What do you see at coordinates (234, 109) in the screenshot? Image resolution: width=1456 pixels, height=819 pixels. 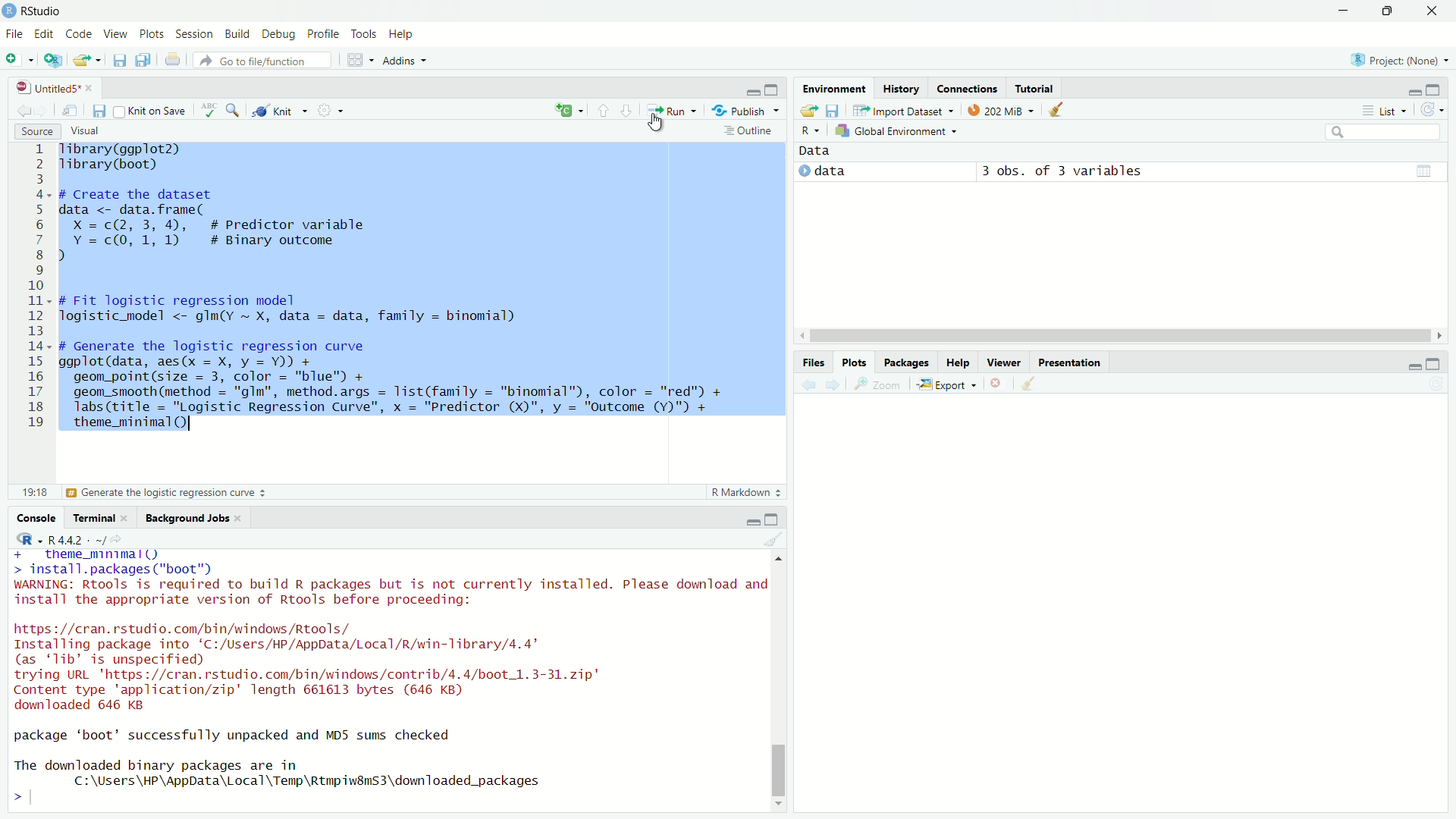 I see `Find/Replace` at bounding box center [234, 109].